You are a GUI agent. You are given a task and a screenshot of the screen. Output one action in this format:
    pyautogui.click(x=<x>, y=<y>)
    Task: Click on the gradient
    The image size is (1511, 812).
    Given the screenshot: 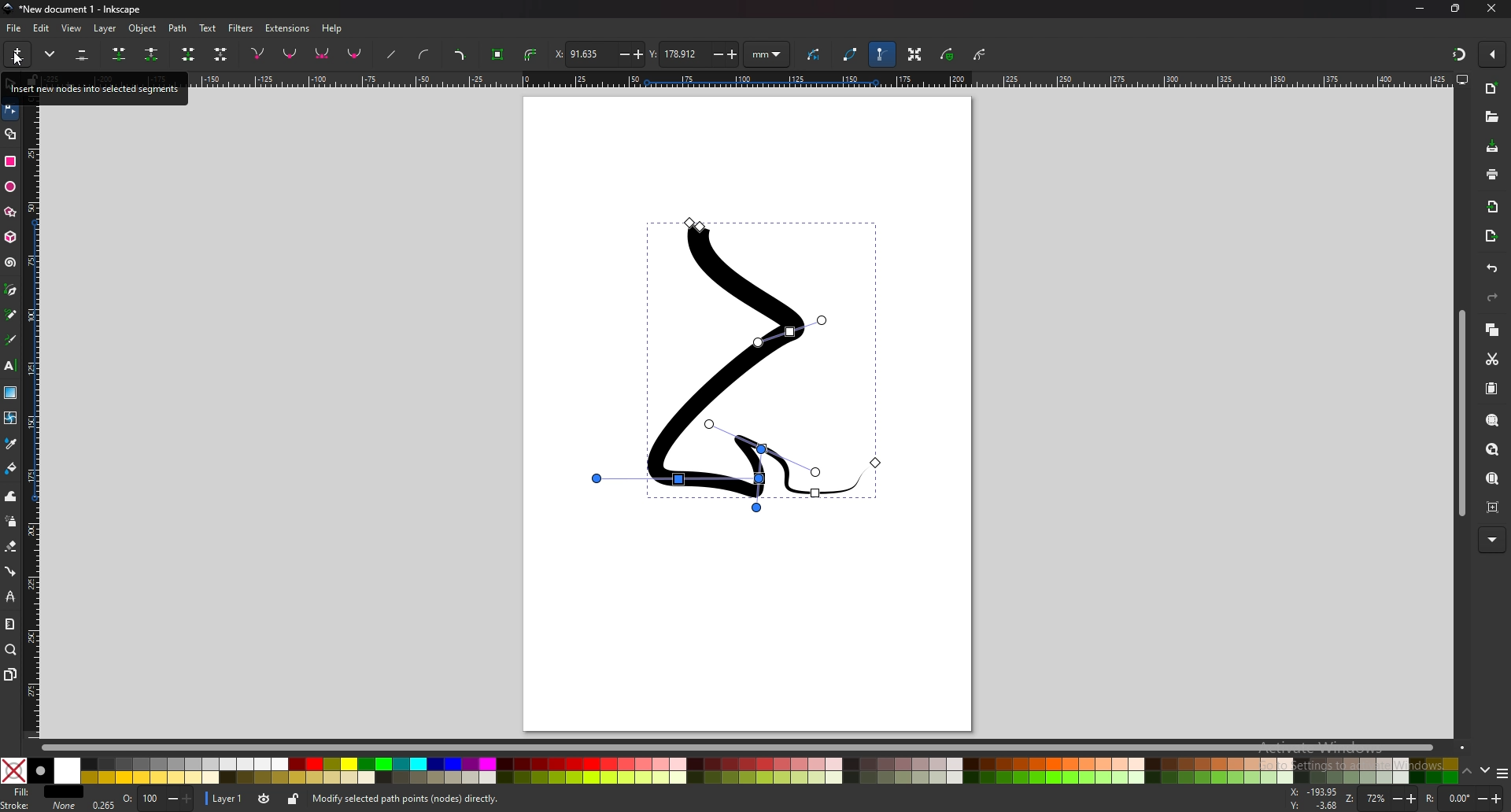 What is the action you would take?
    pyautogui.click(x=10, y=393)
    